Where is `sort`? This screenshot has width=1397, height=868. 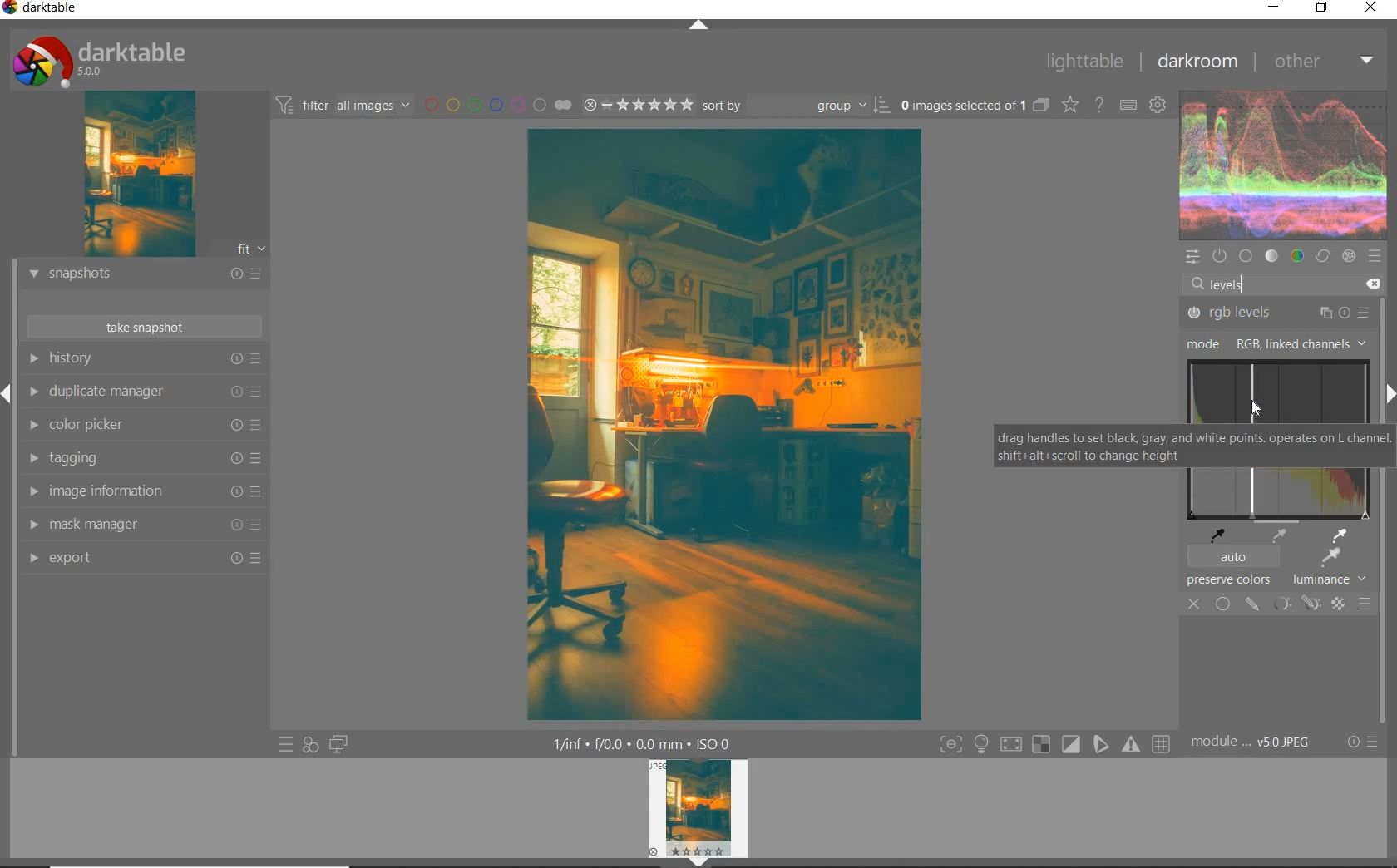
sort is located at coordinates (797, 106).